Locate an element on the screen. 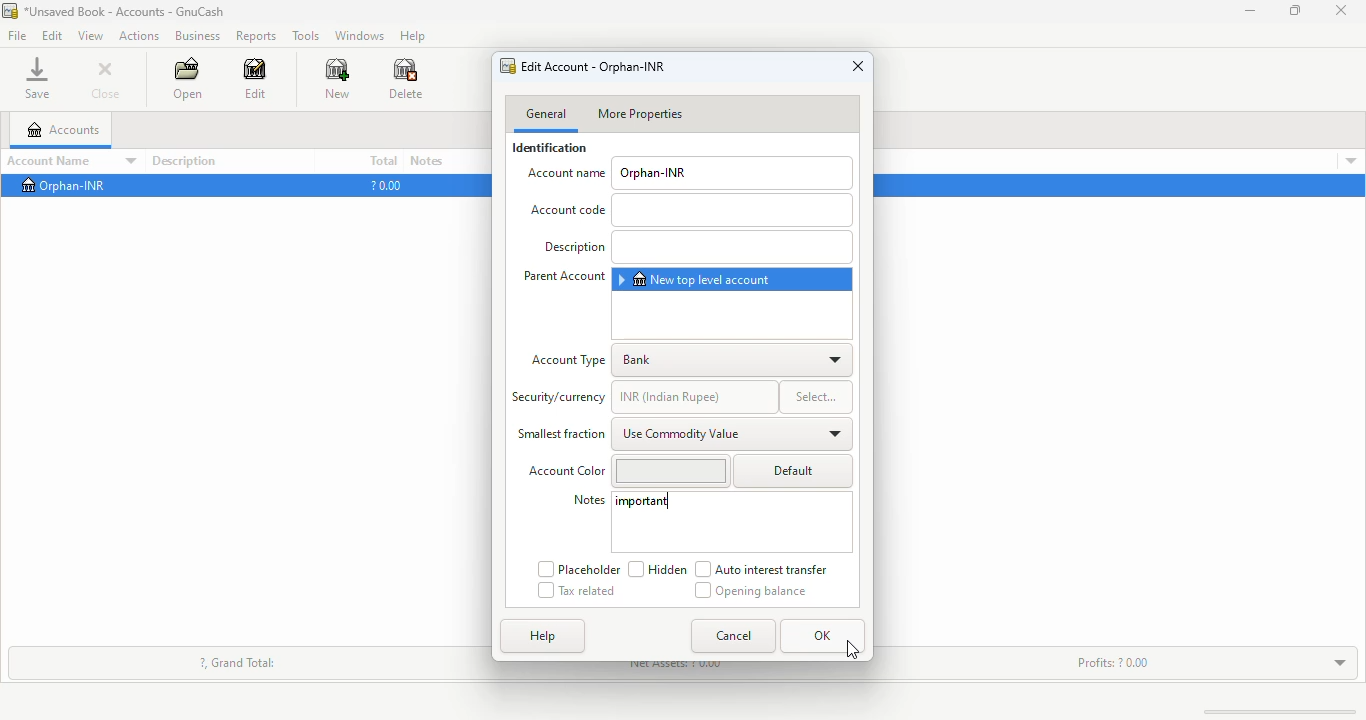 The height and width of the screenshot is (720, 1366). new is located at coordinates (336, 78).